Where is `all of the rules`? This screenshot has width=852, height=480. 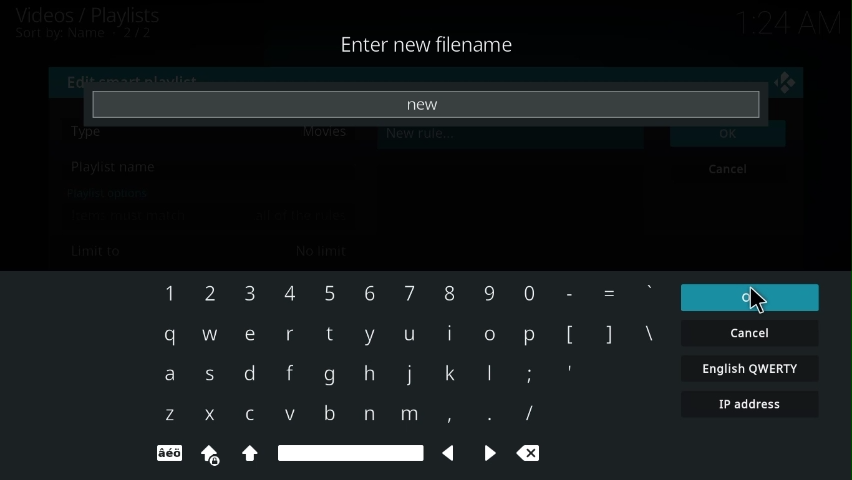
all of the rules is located at coordinates (301, 214).